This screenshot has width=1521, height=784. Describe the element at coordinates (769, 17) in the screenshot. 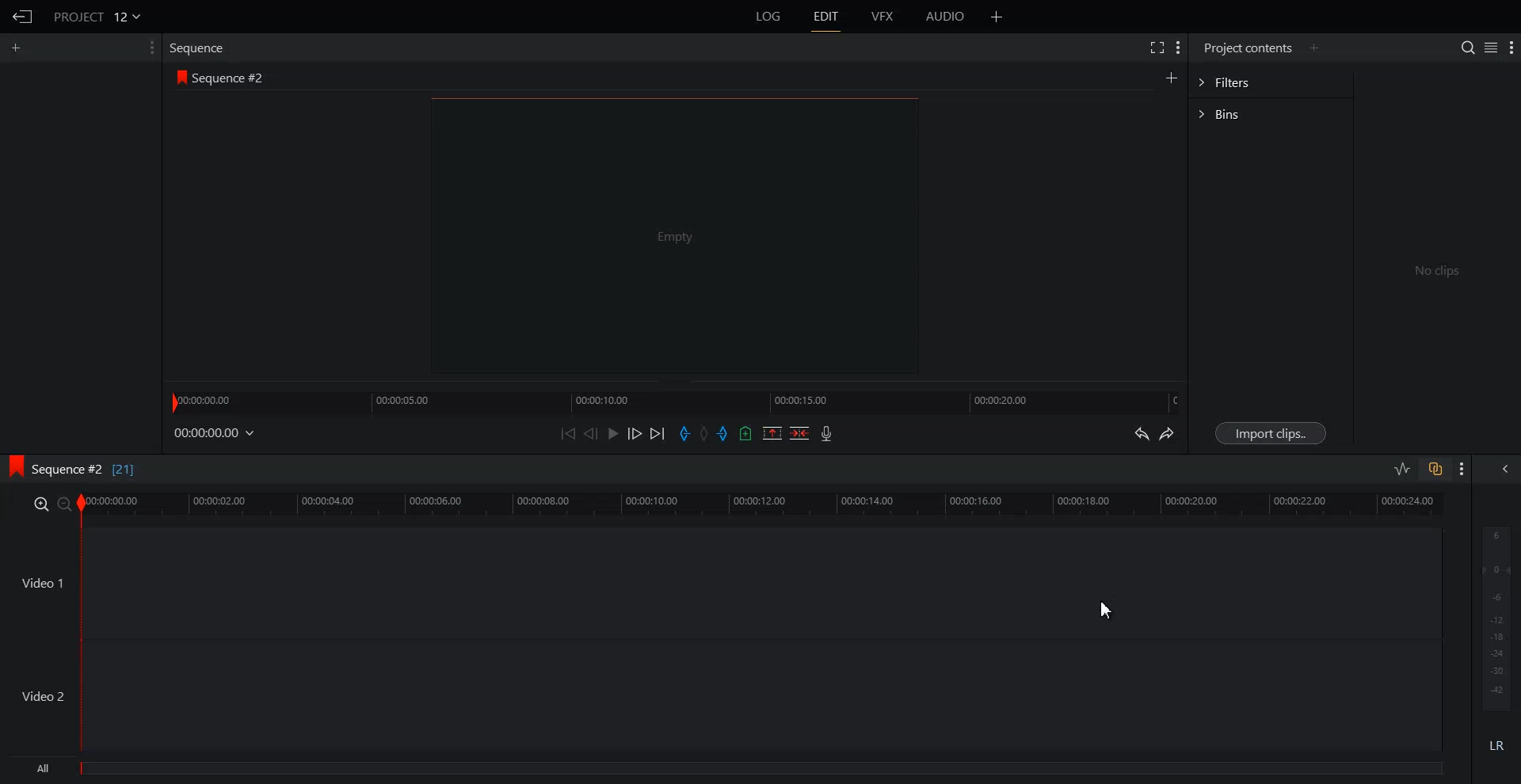

I see `LOG` at that location.